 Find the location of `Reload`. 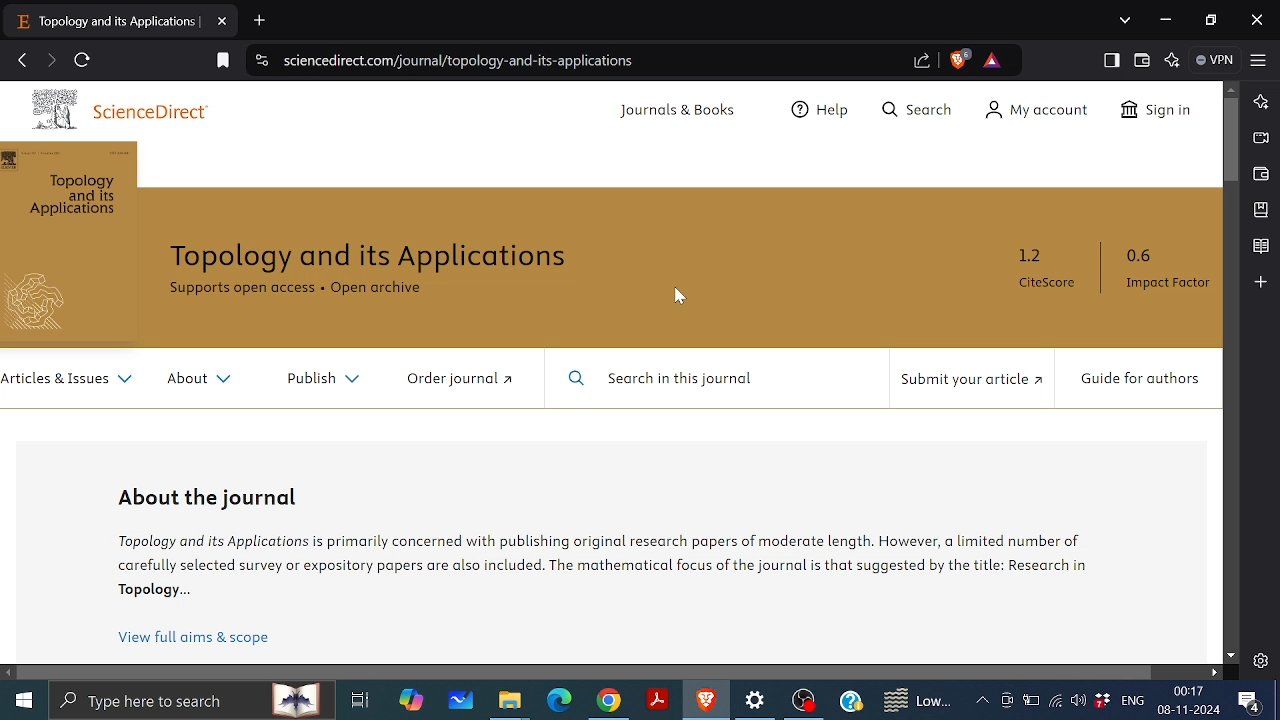

Reload is located at coordinates (84, 60).